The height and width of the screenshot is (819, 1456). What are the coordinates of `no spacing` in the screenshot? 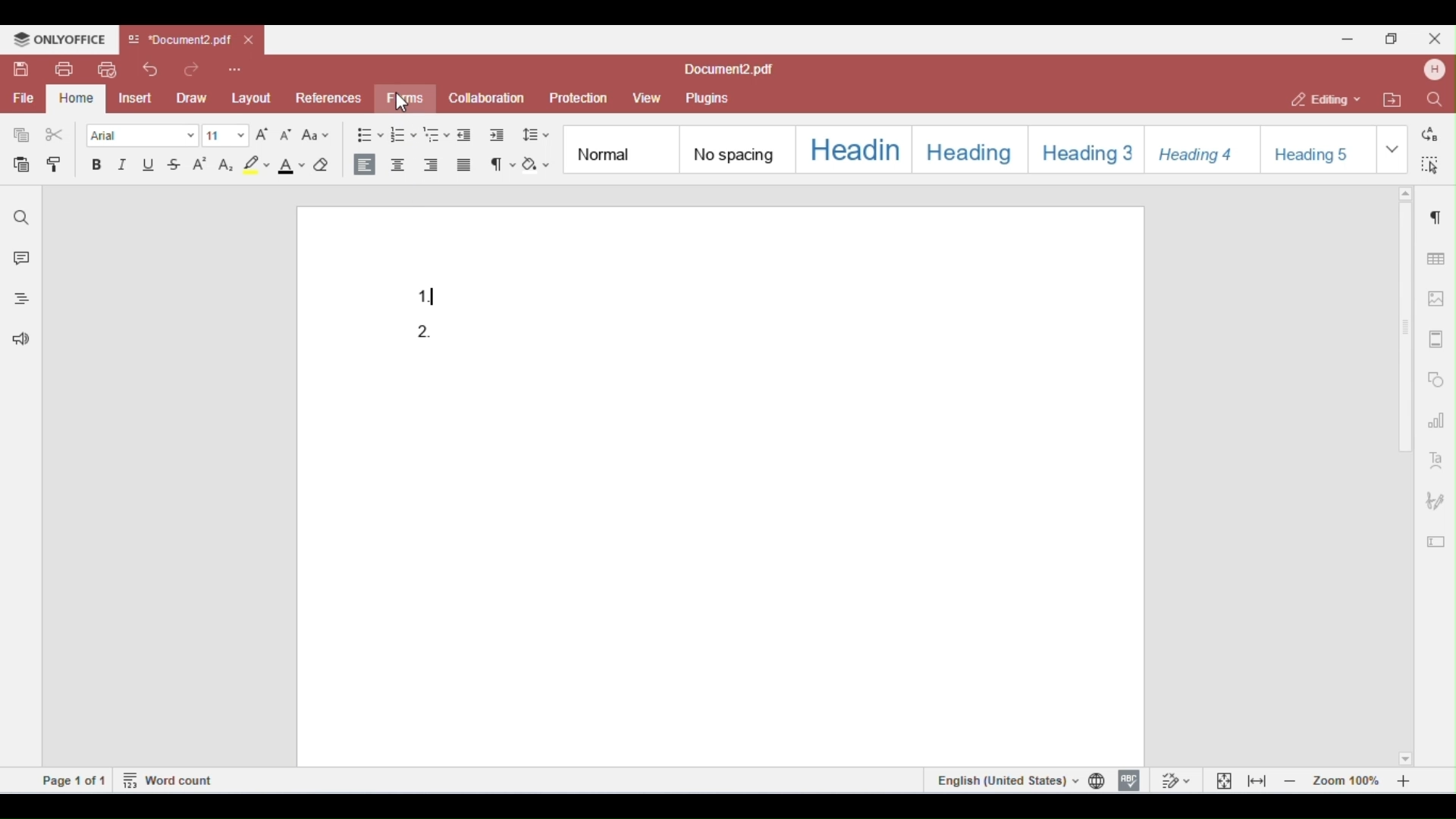 It's located at (734, 147).